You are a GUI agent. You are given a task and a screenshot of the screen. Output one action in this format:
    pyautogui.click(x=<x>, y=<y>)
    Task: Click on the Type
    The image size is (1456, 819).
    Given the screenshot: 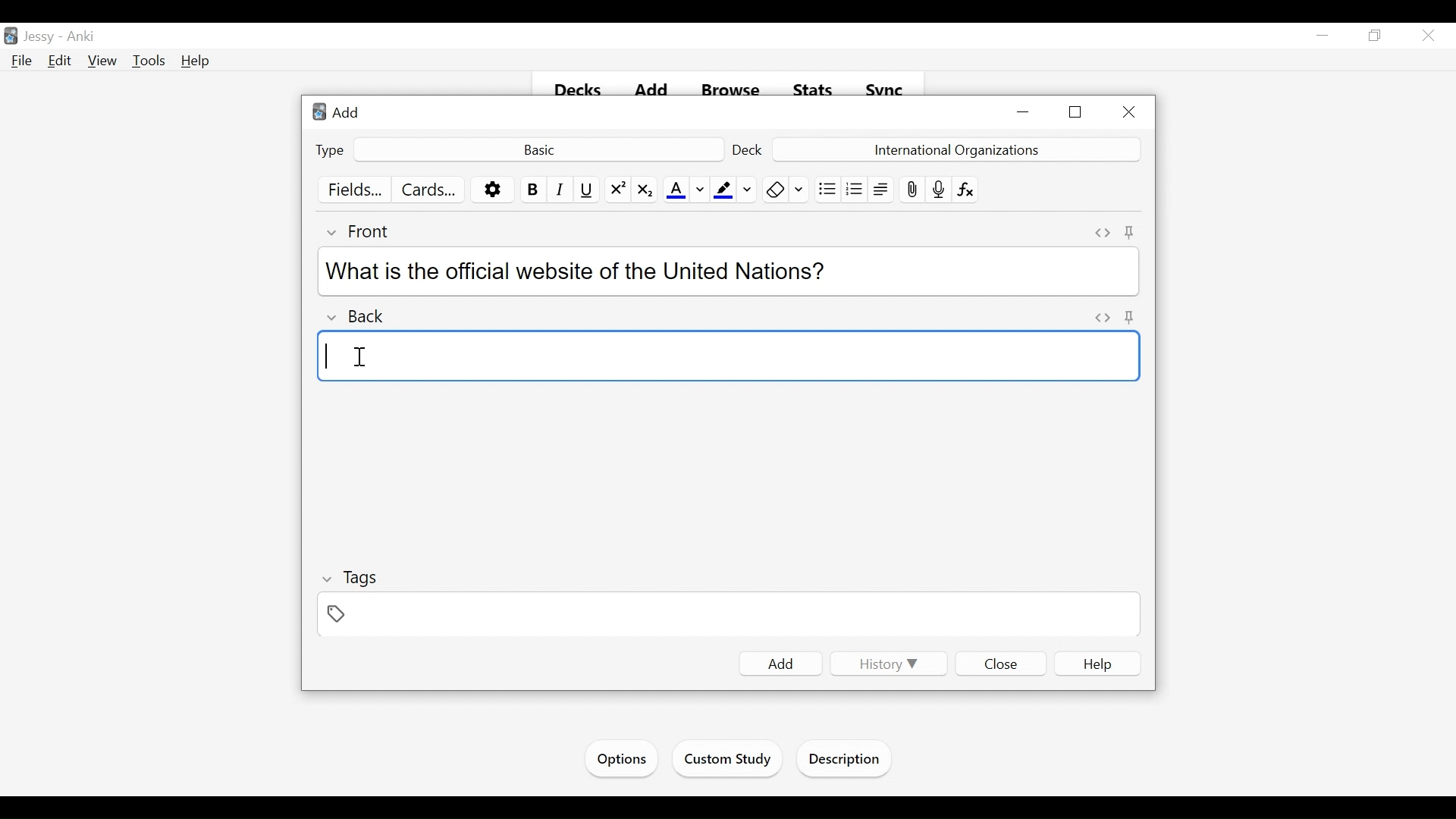 What is the action you would take?
    pyautogui.click(x=328, y=150)
    